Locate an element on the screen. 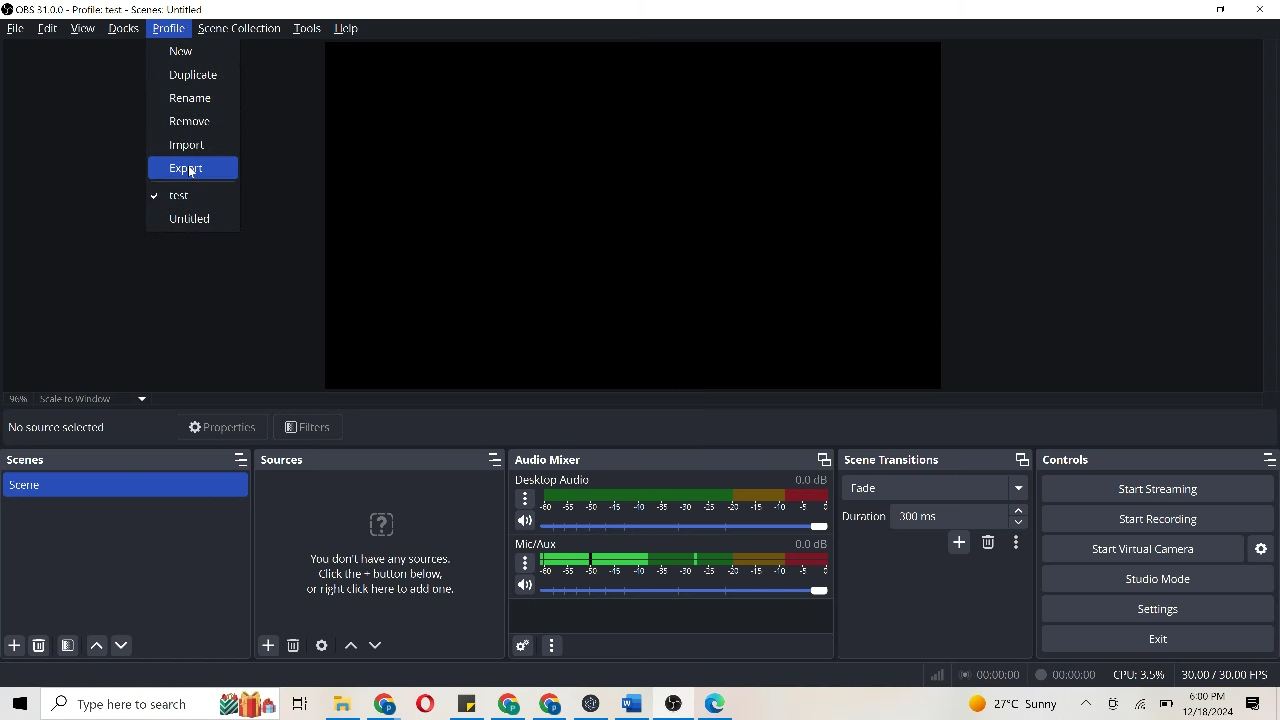 The height and width of the screenshot is (720, 1280). maximize is located at coordinates (484, 459).